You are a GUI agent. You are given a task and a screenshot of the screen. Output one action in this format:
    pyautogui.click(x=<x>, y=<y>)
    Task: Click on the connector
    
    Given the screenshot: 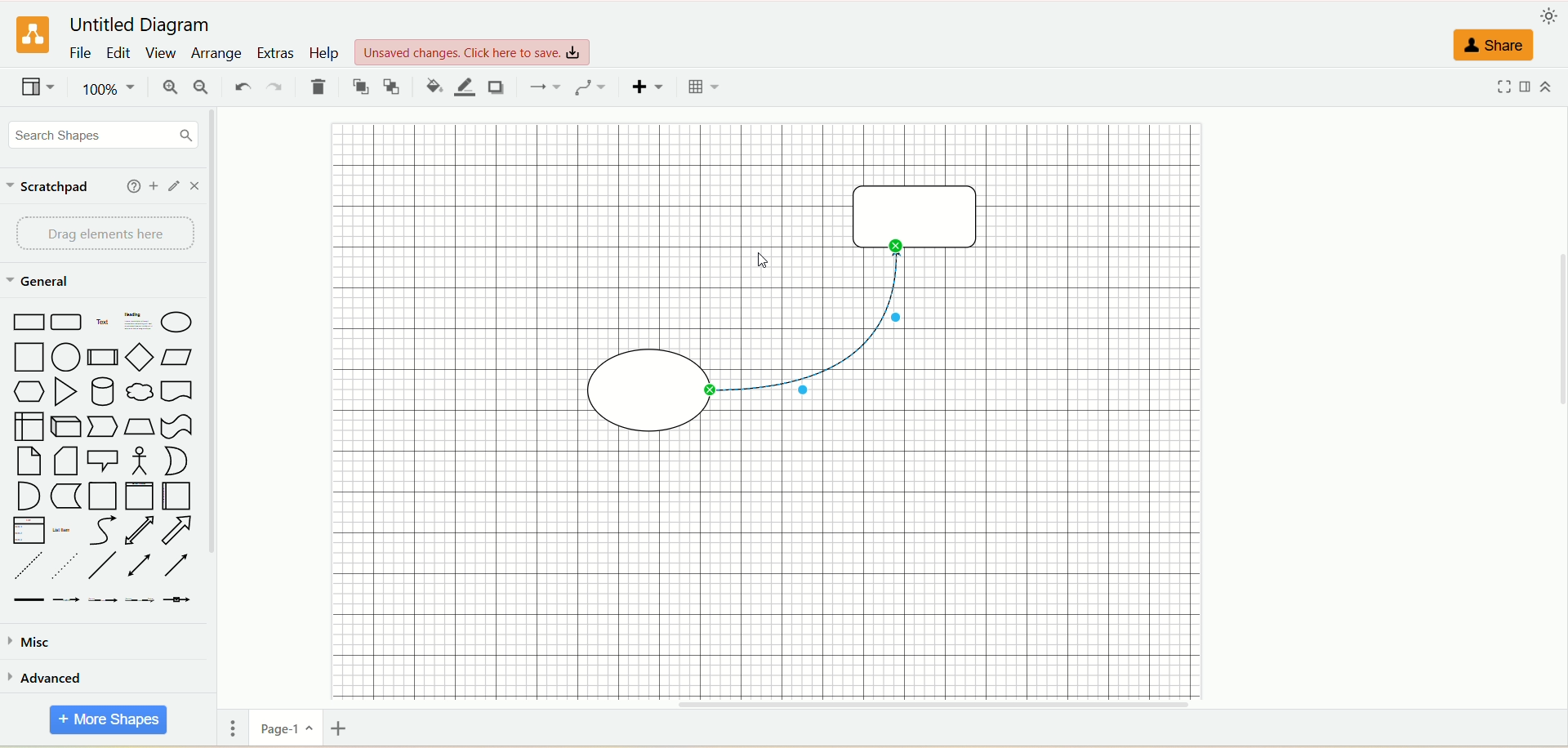 What is the action you would take?
    pyautogui.click(x=812, y=322)
    